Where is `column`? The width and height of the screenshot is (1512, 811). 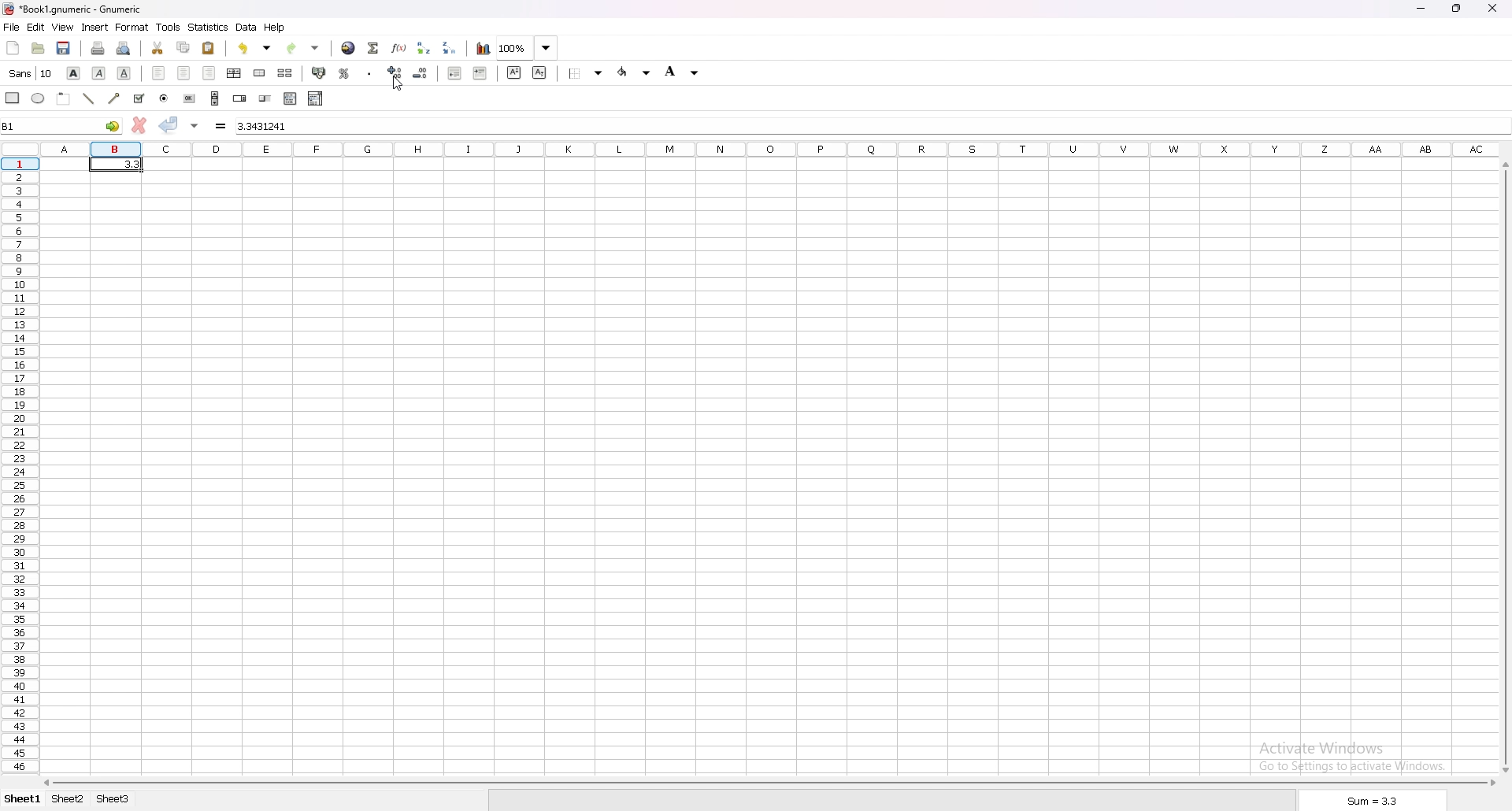 column is located at coordinates (772, 149).